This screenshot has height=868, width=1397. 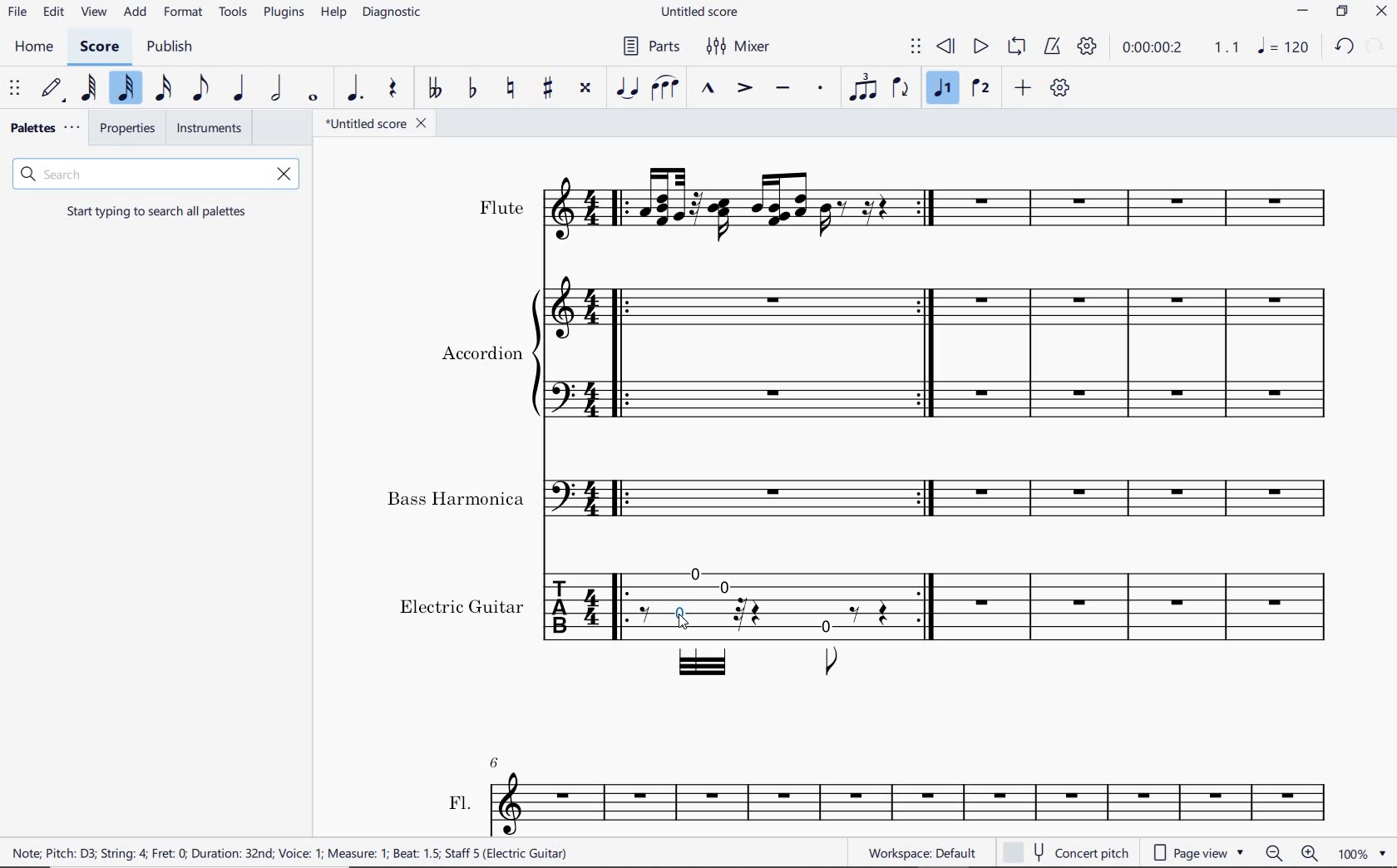 What do you see at coordinates (894, 796) in the screenshot?
I see `FL` at bounding box center [894, 796].